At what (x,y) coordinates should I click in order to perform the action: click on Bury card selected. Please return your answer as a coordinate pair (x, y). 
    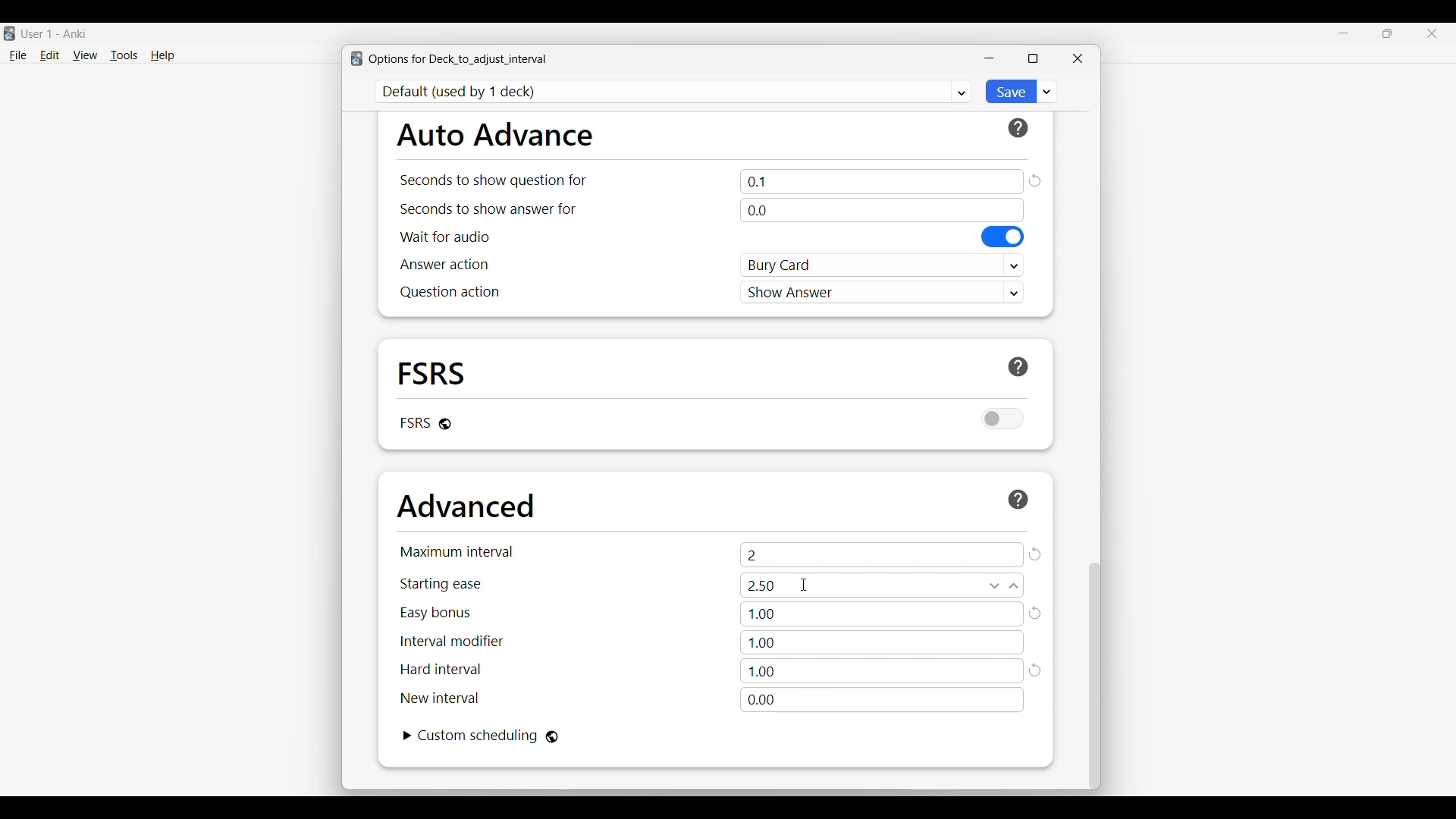
    Looking at the image, I should click on (883, 265).